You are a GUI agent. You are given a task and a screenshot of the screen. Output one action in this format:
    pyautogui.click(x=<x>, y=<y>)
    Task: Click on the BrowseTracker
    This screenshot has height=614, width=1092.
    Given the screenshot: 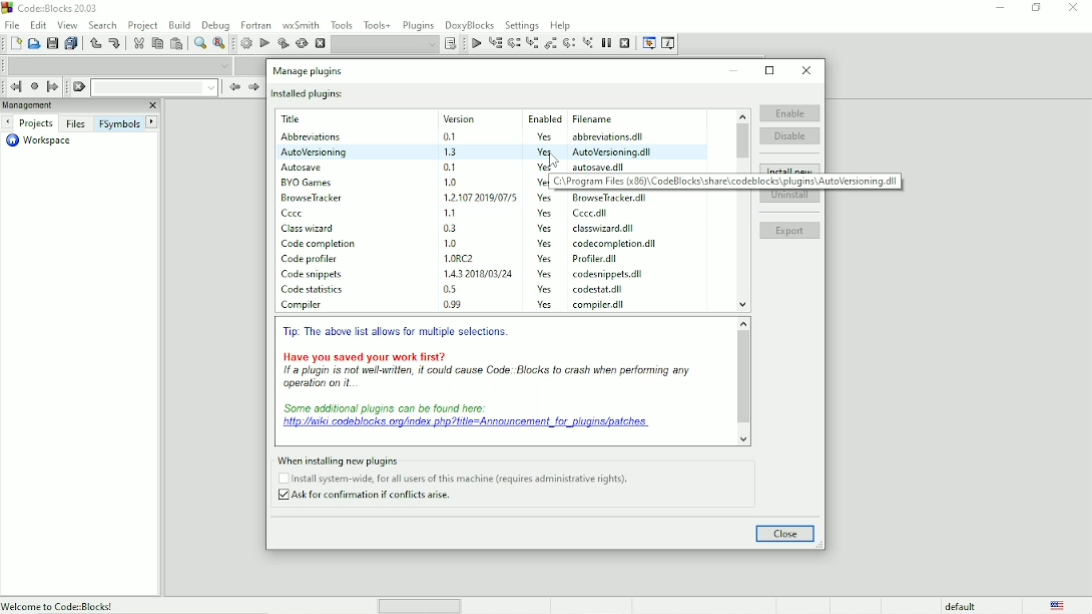 What is the action you would take?
    pyautogui.click(x=313, y=198)
    